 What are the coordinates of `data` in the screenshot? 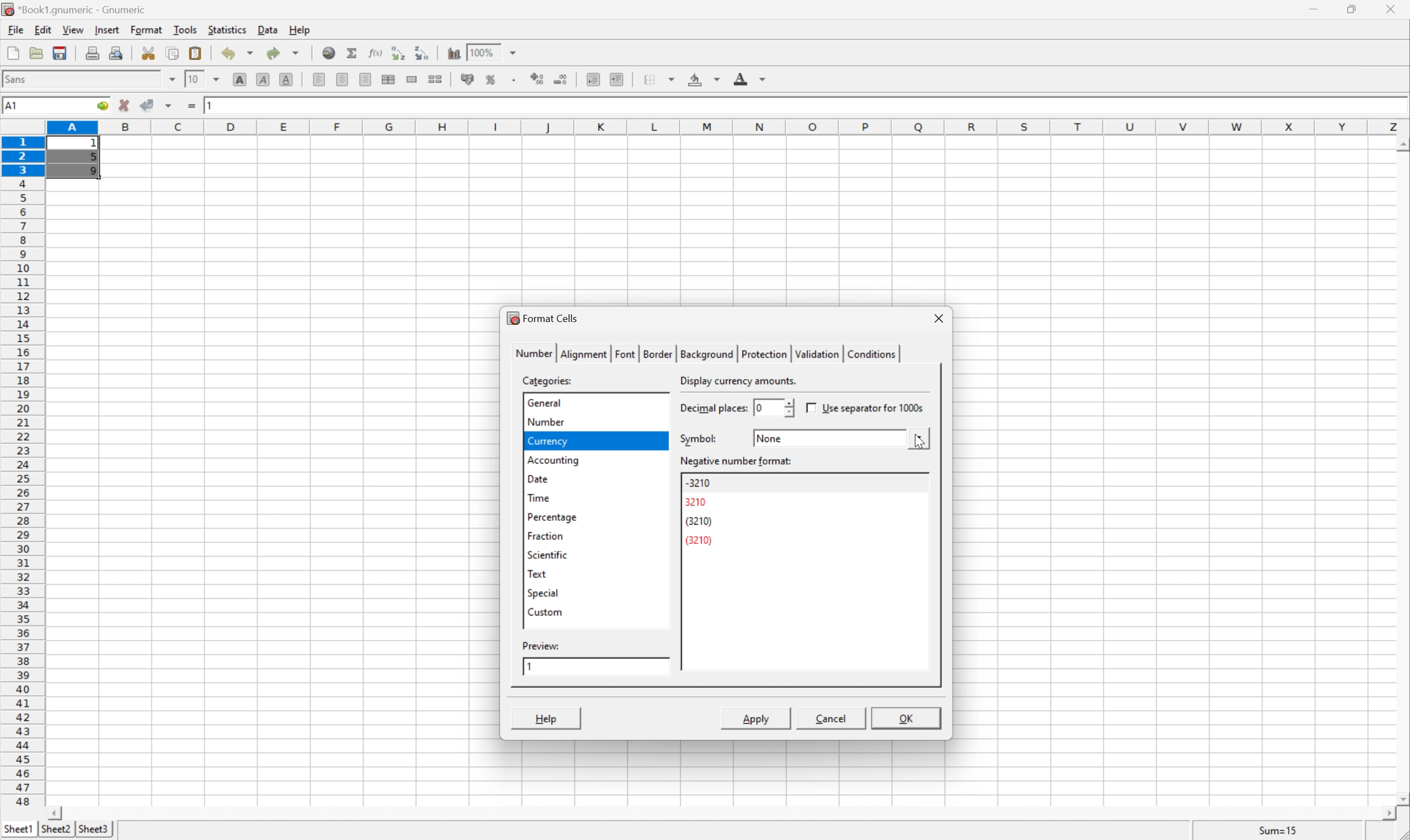 It's located at (269, 27).